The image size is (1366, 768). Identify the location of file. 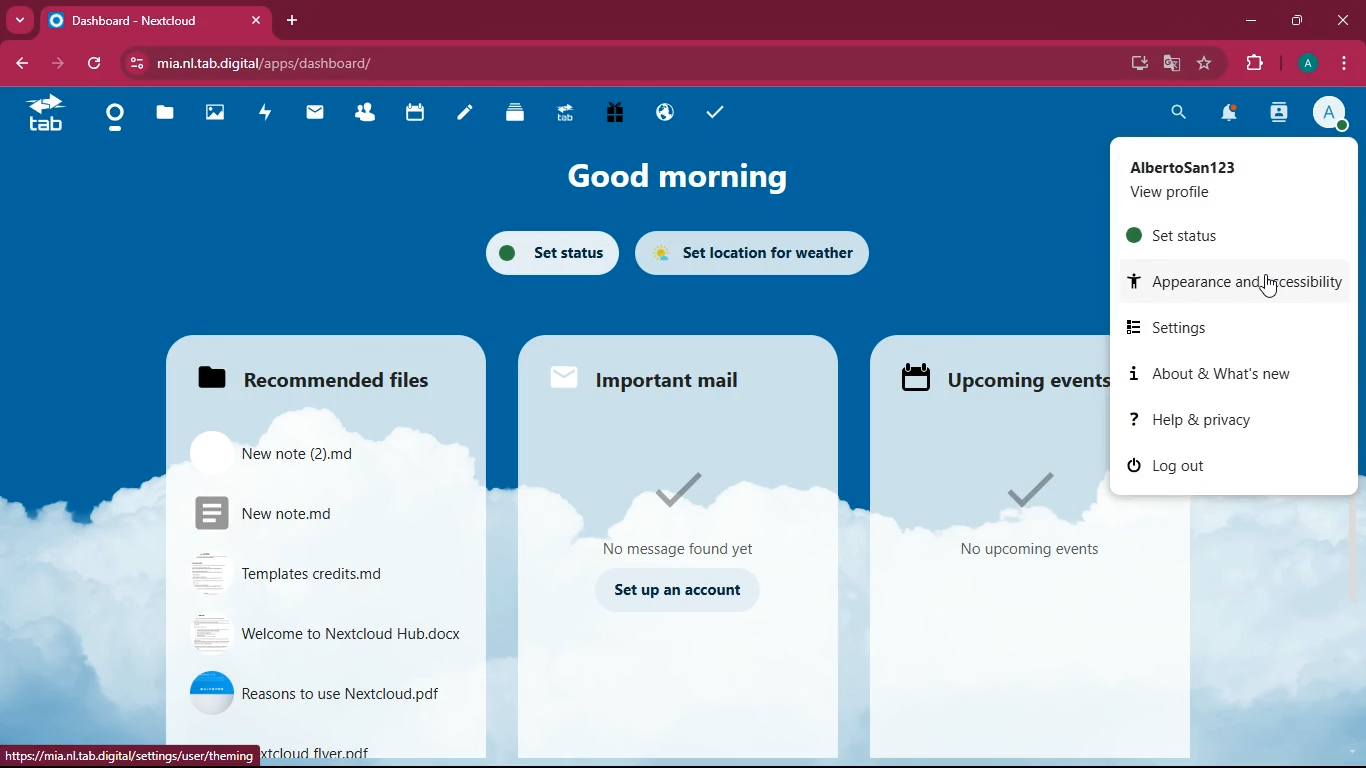
(308, 691).